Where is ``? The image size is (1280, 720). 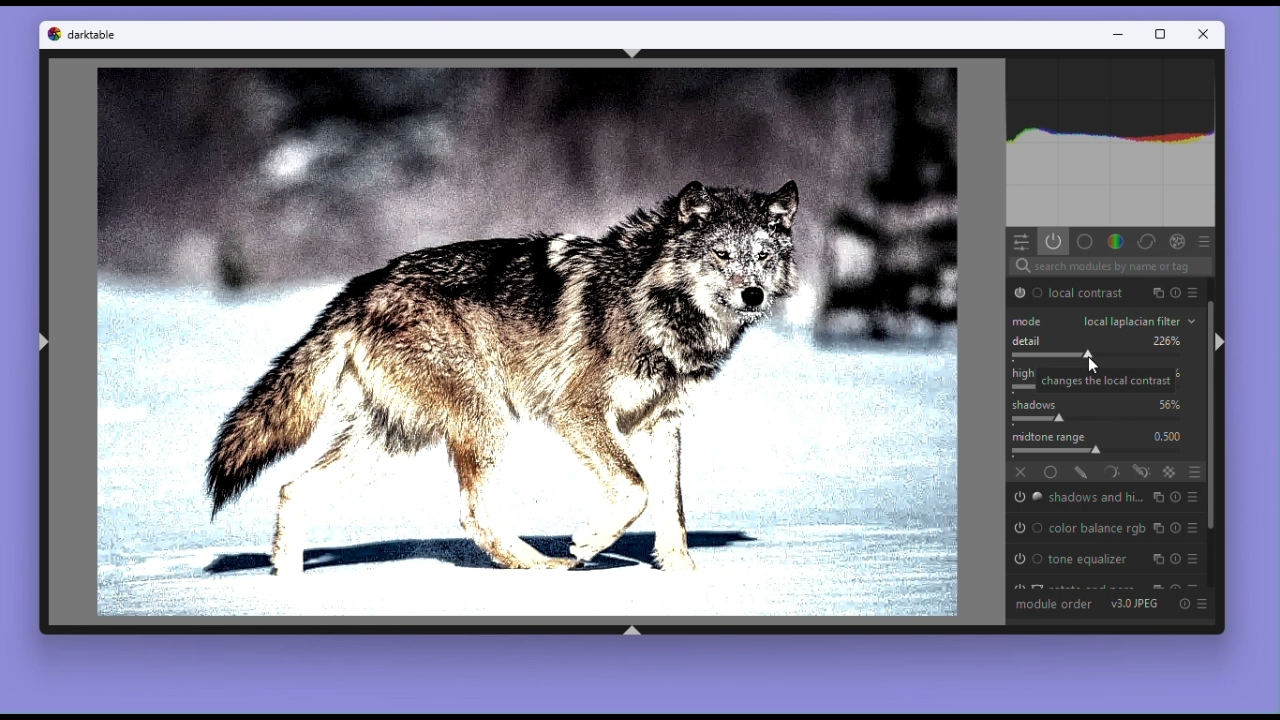  is located at coordinates (1176, 528).